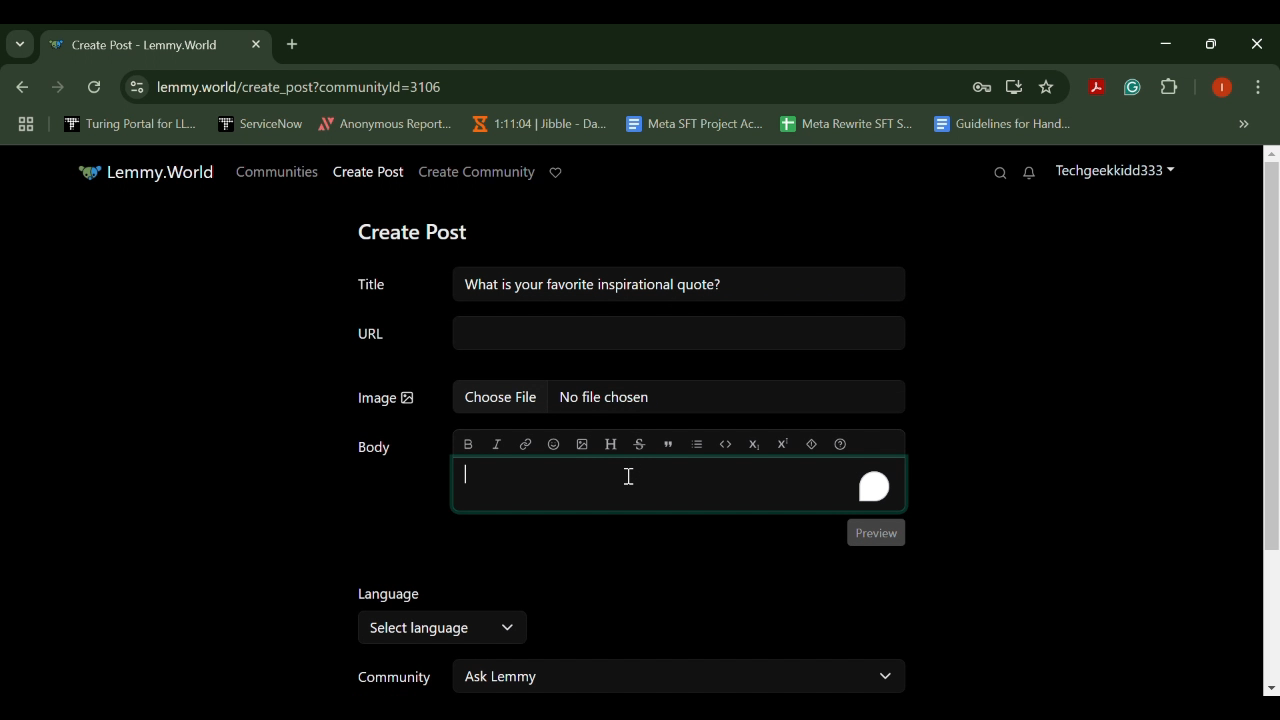 The image size is (1280, 720). I want to click on Add Tab, so click(291, 43).